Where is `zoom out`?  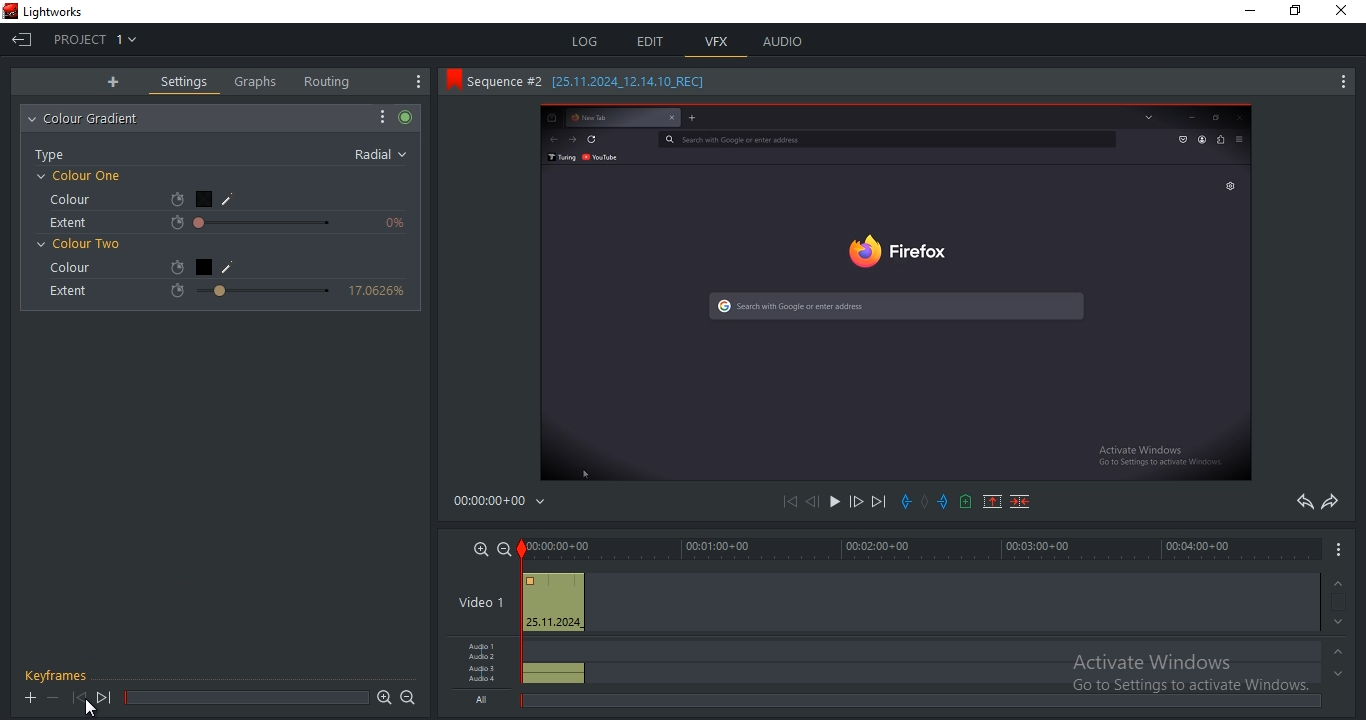
zoom out is located at coordinates (410, 698).